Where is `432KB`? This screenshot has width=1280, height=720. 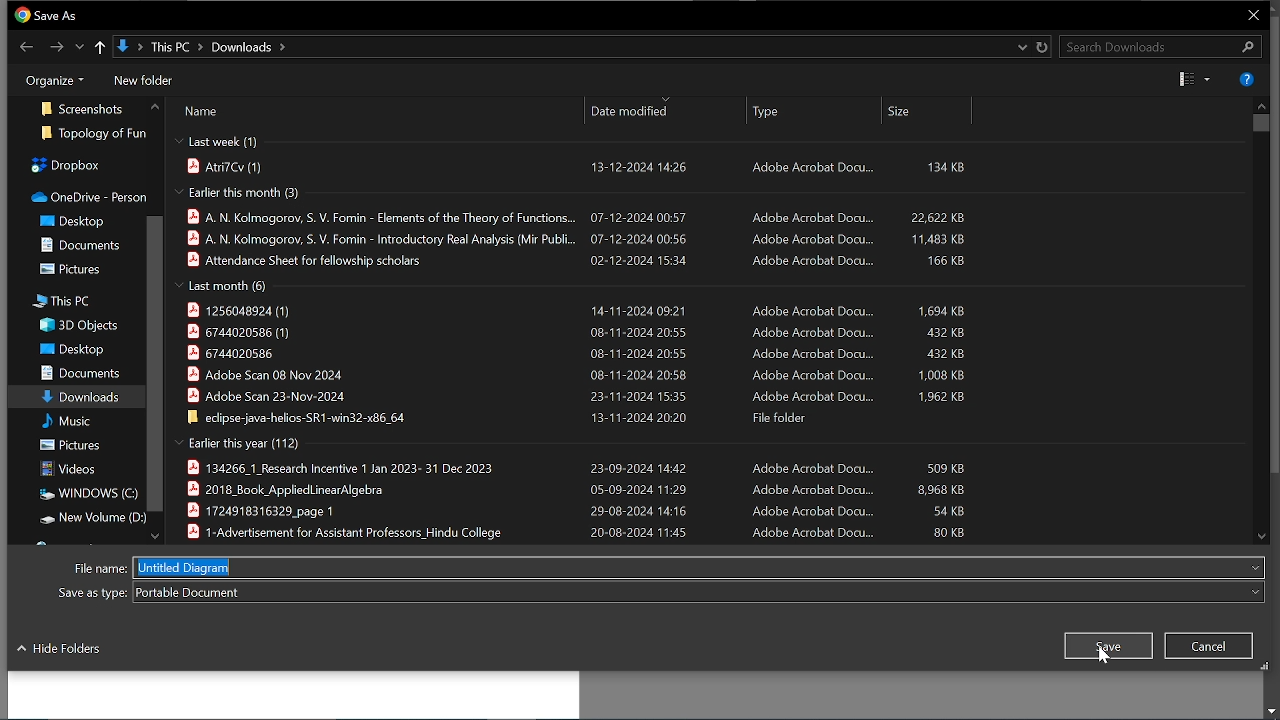
432KB is located at coordinates (944, 332).